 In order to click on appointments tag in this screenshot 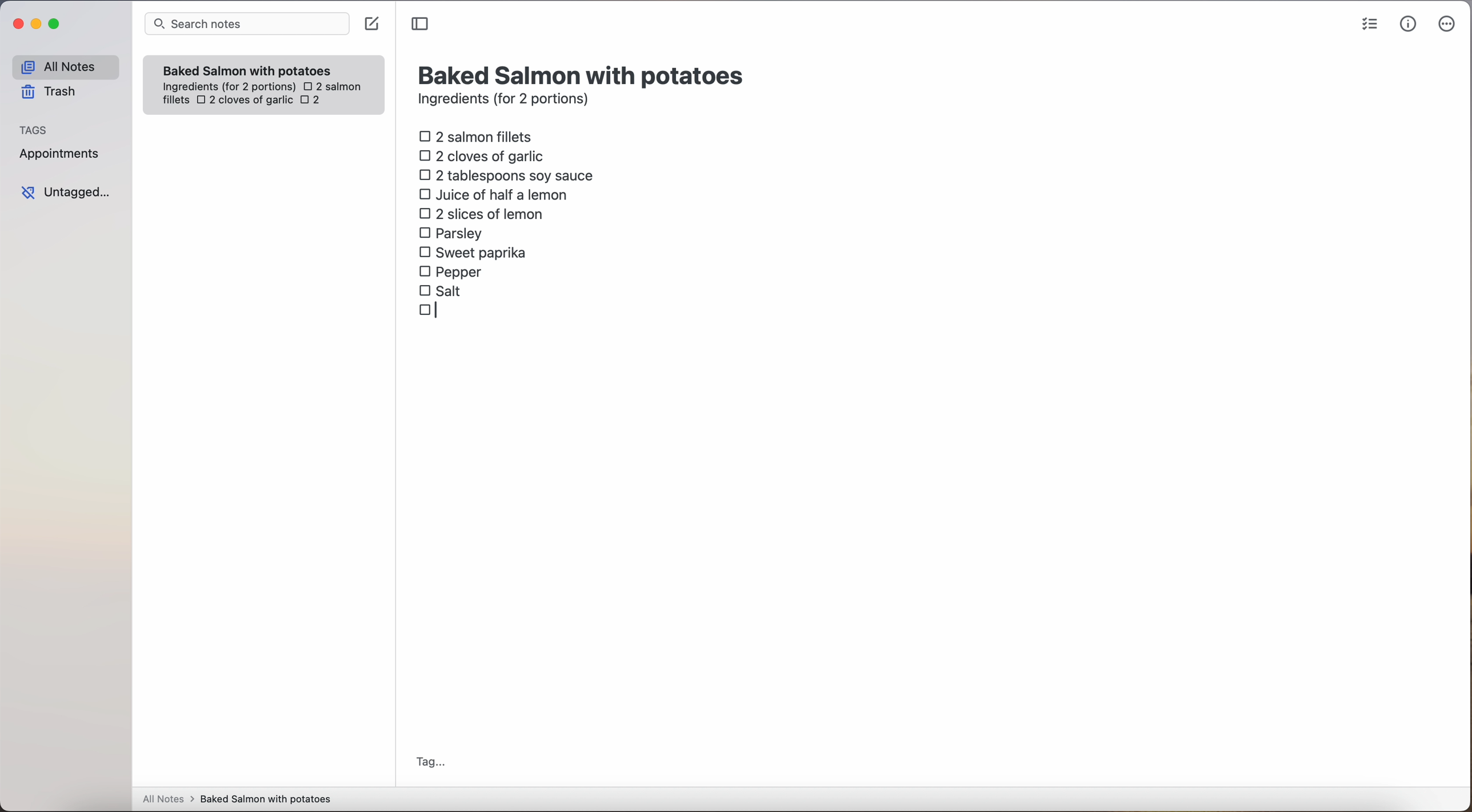, I will do `click(61, 151)`.